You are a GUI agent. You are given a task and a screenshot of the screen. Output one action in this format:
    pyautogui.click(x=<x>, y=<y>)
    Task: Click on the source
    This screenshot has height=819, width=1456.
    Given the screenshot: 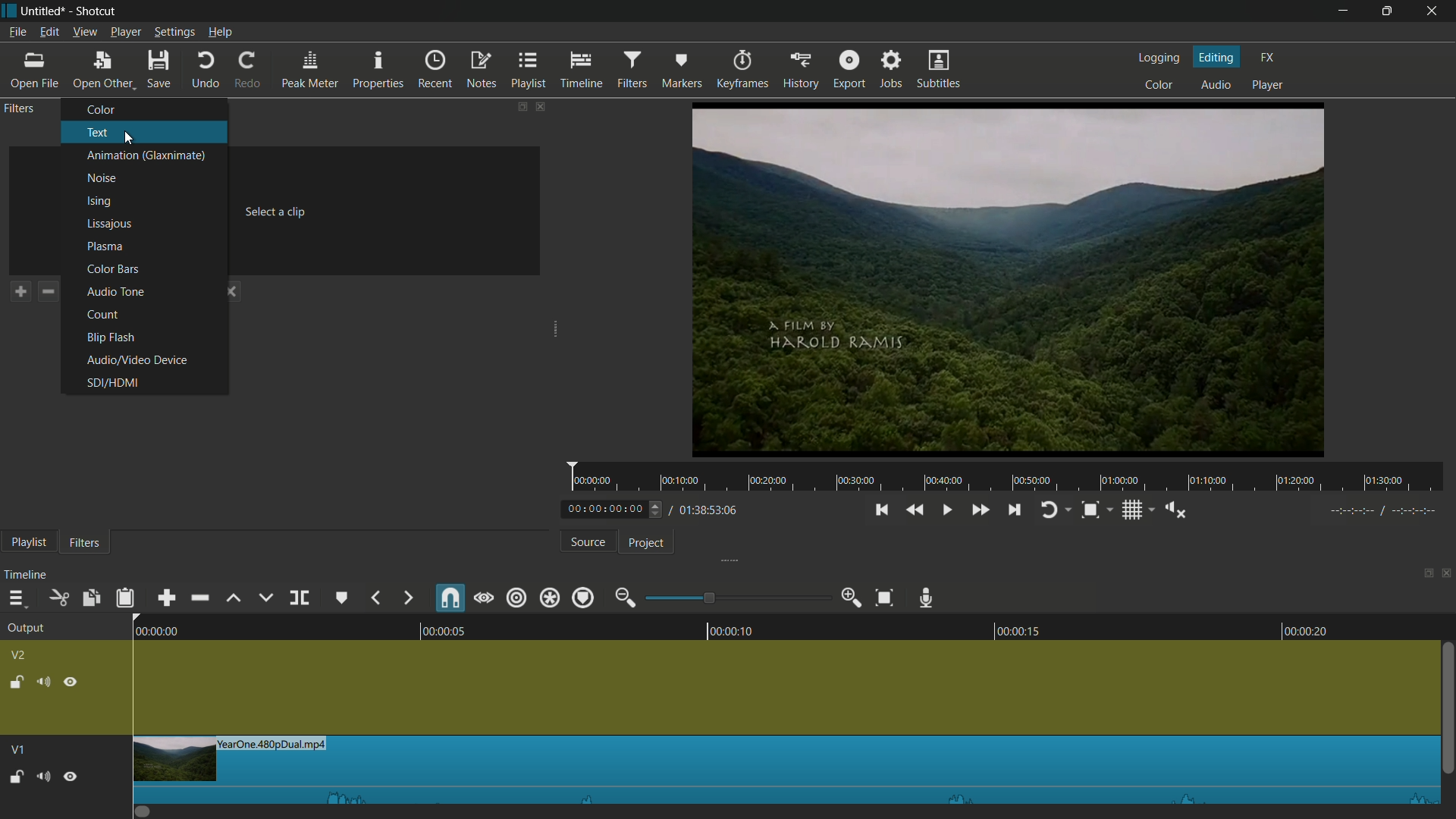 What is the action you would take?
    pyautogui.click(x=588, y=542)
    